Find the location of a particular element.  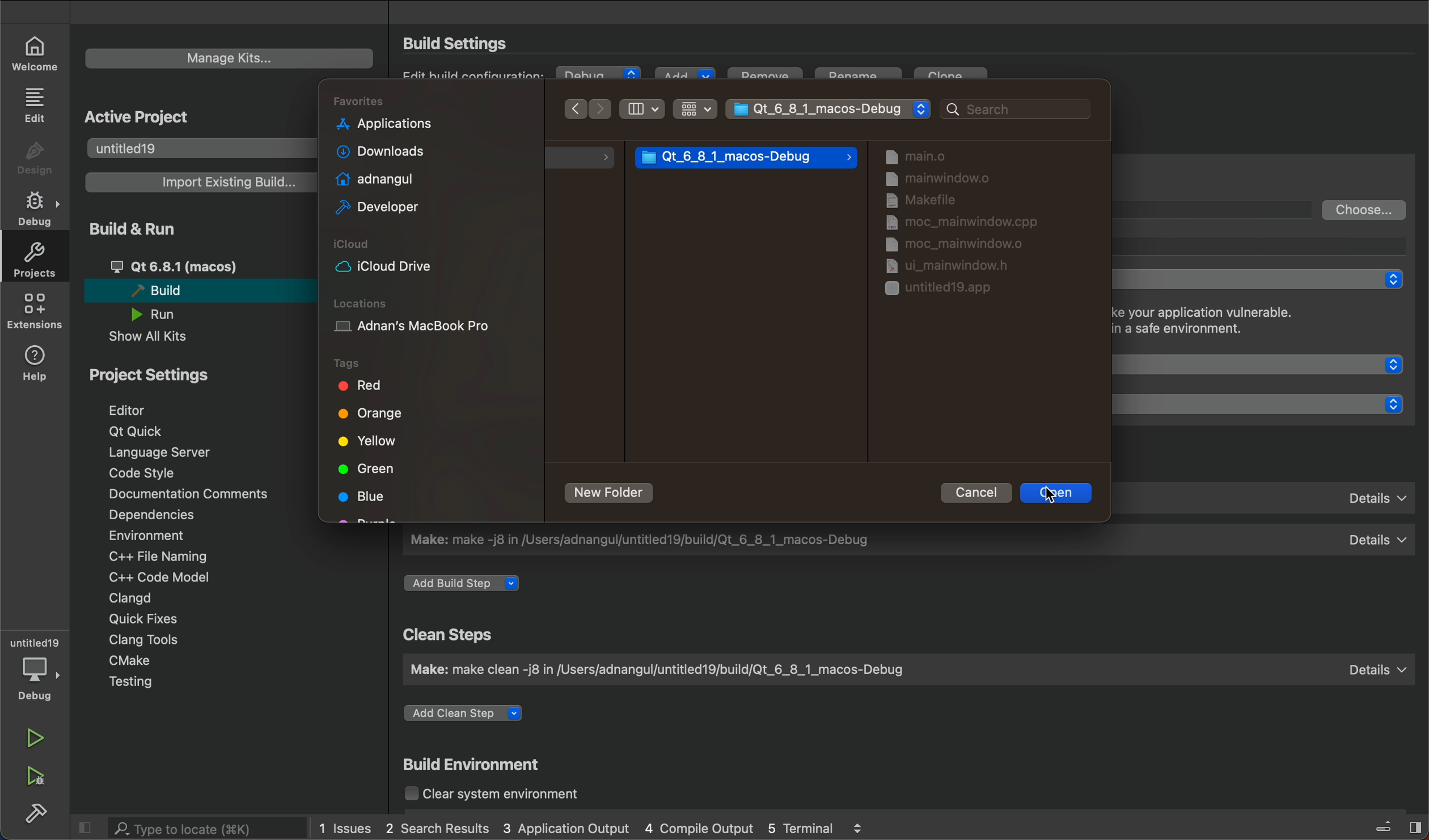

active project is located at coordinates (141, 114).